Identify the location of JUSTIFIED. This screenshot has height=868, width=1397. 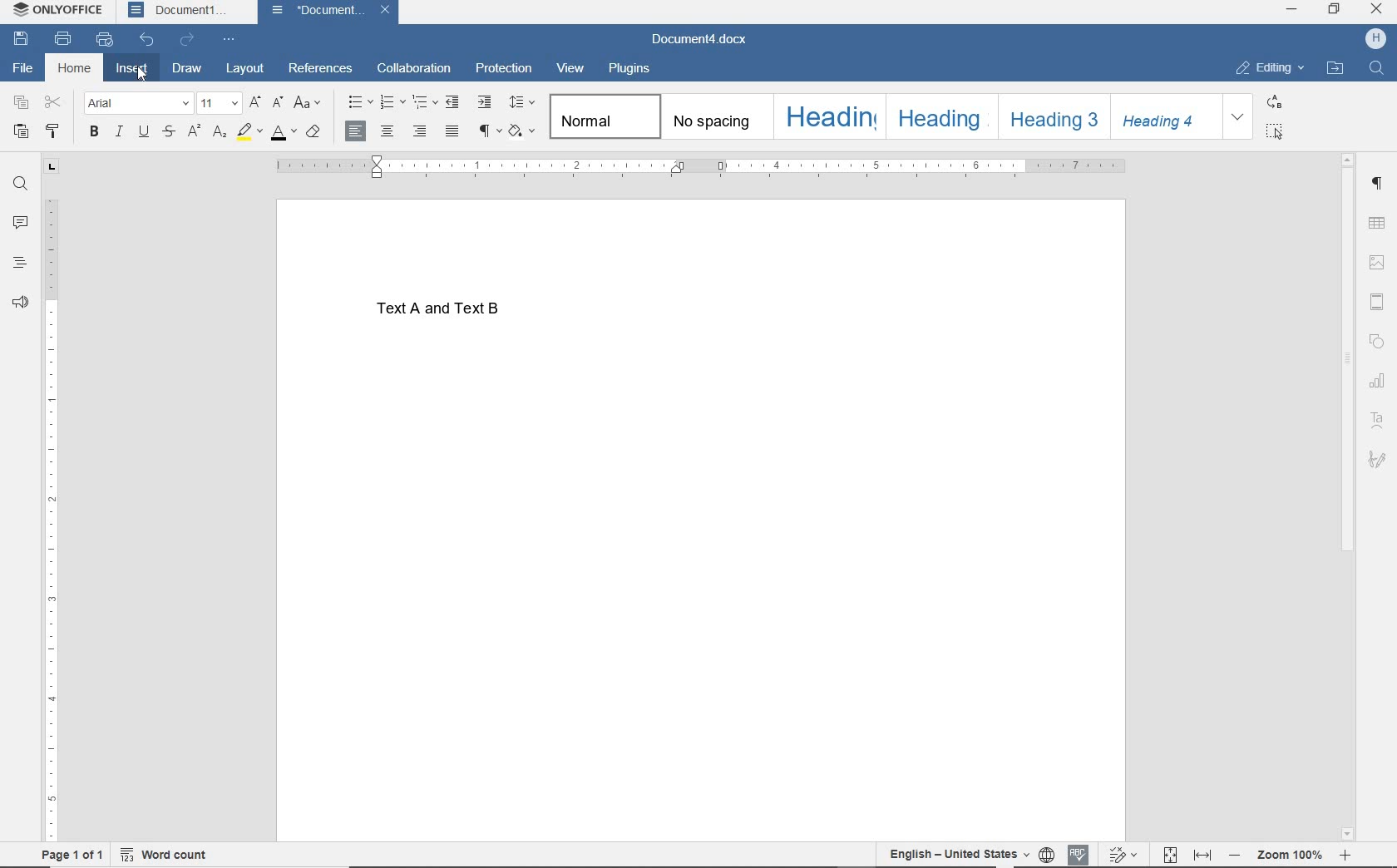
(453, 133).